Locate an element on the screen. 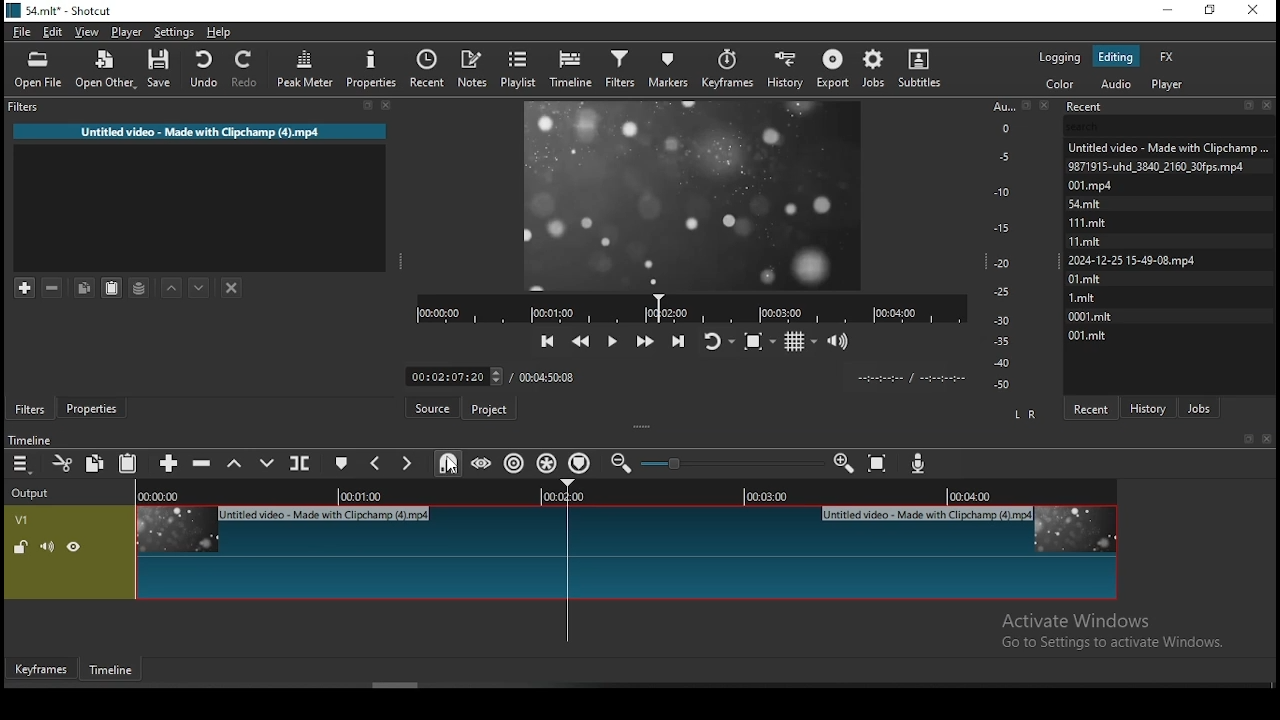 This screenshot has width=1280, height=720. undo is located at coordinates (207, 70).